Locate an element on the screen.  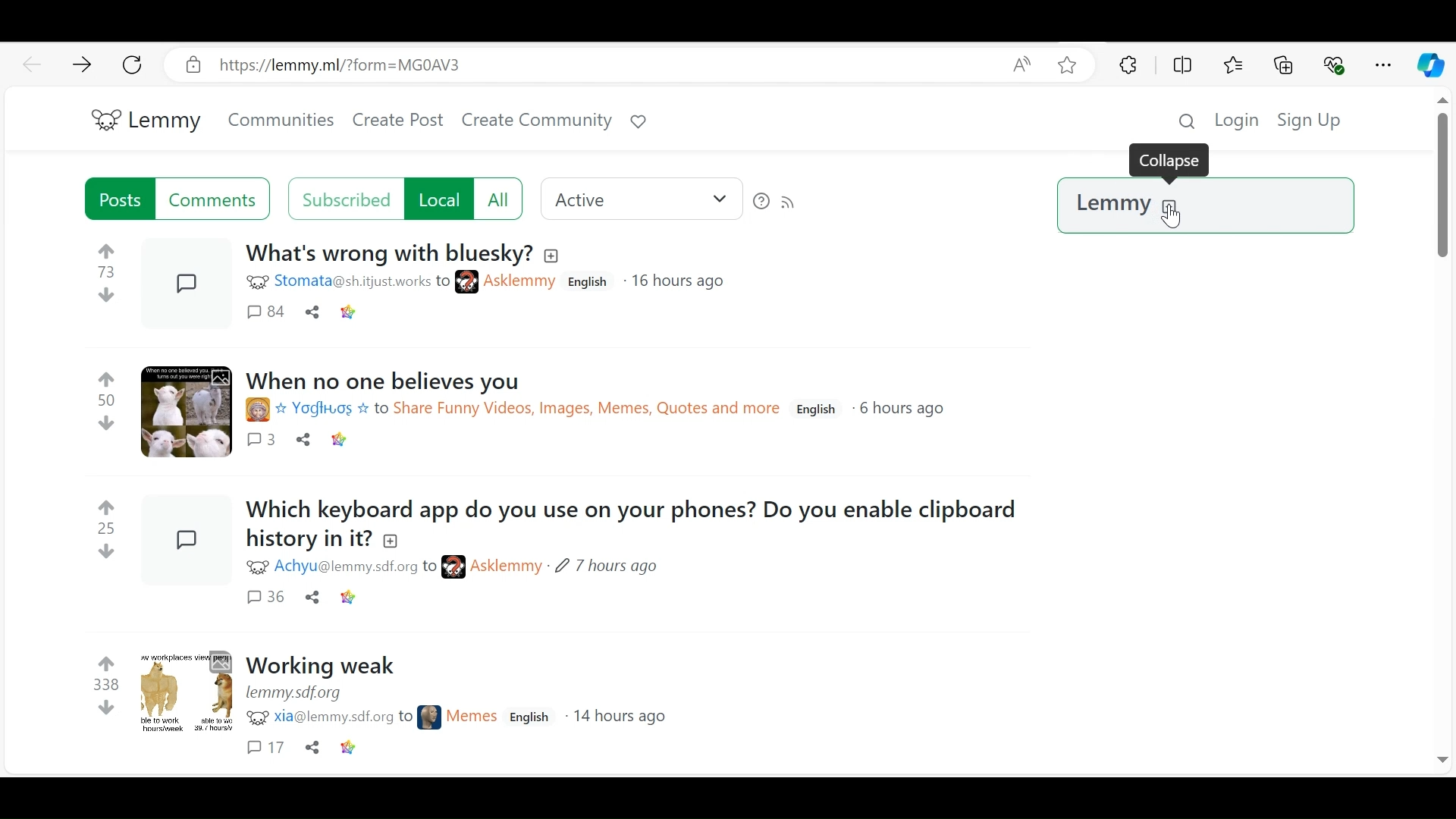
Sign Up is located at coordinates (1317, 121).